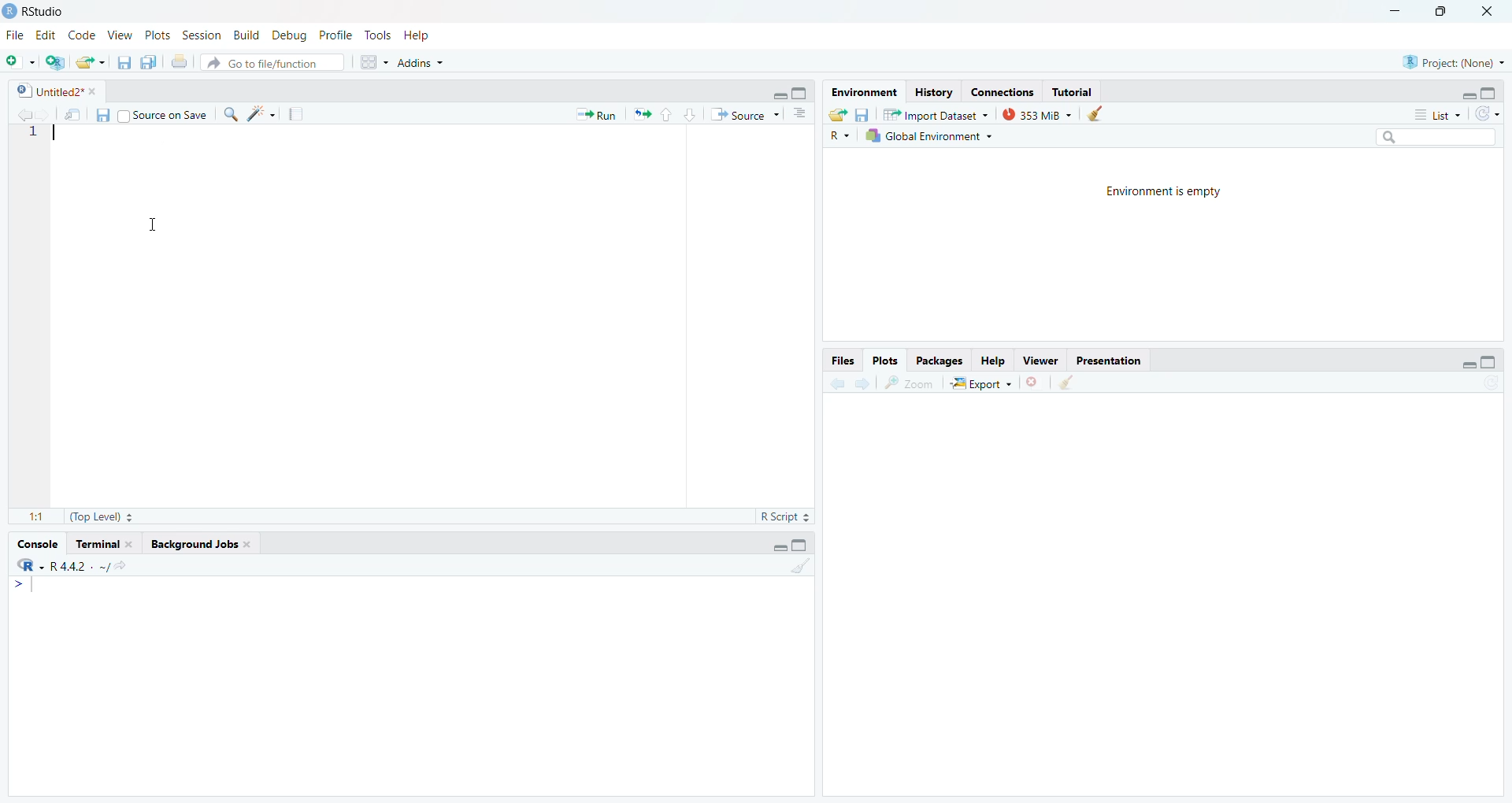  Describe the element at coordinates (1467, 361) in the screenshot. I see `hide r script` at that location.